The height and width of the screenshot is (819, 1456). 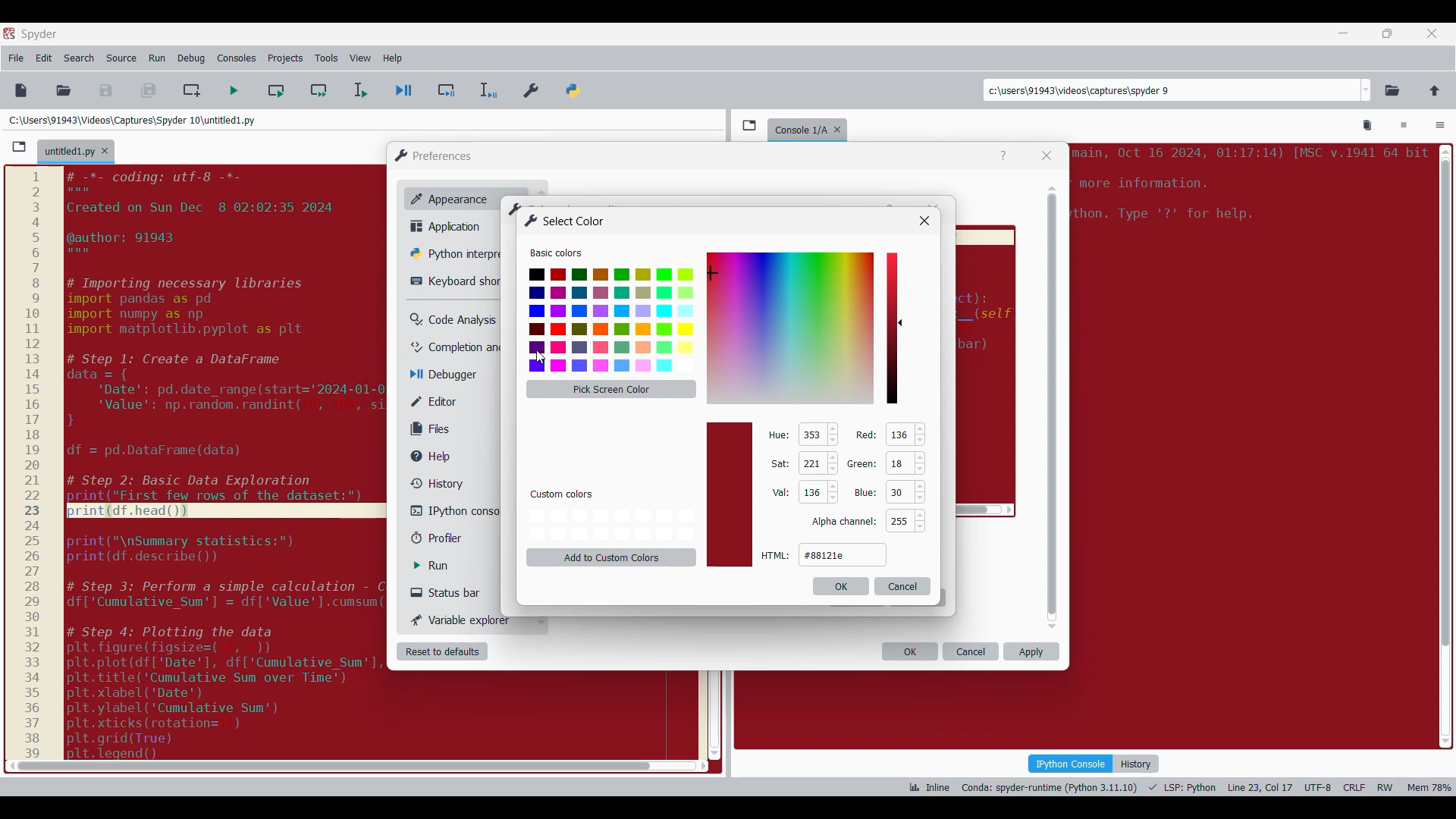 I want to click on scroll bar, so click(x=1443, y=442).